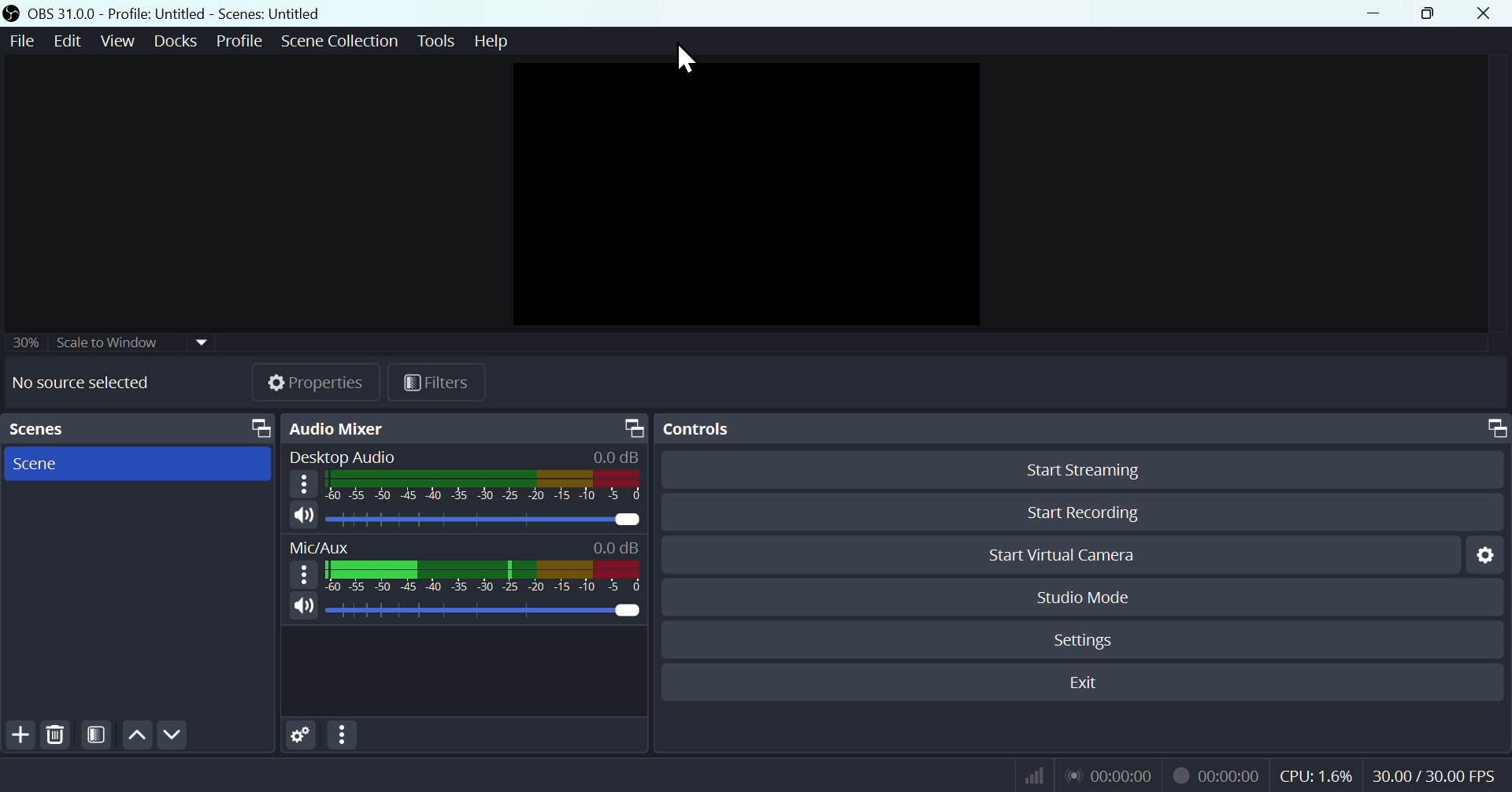 This screenshot has width=1512, height=792. Describe the element at coordinates (434, 385) in the screenshot. I see `Fil` at that location.